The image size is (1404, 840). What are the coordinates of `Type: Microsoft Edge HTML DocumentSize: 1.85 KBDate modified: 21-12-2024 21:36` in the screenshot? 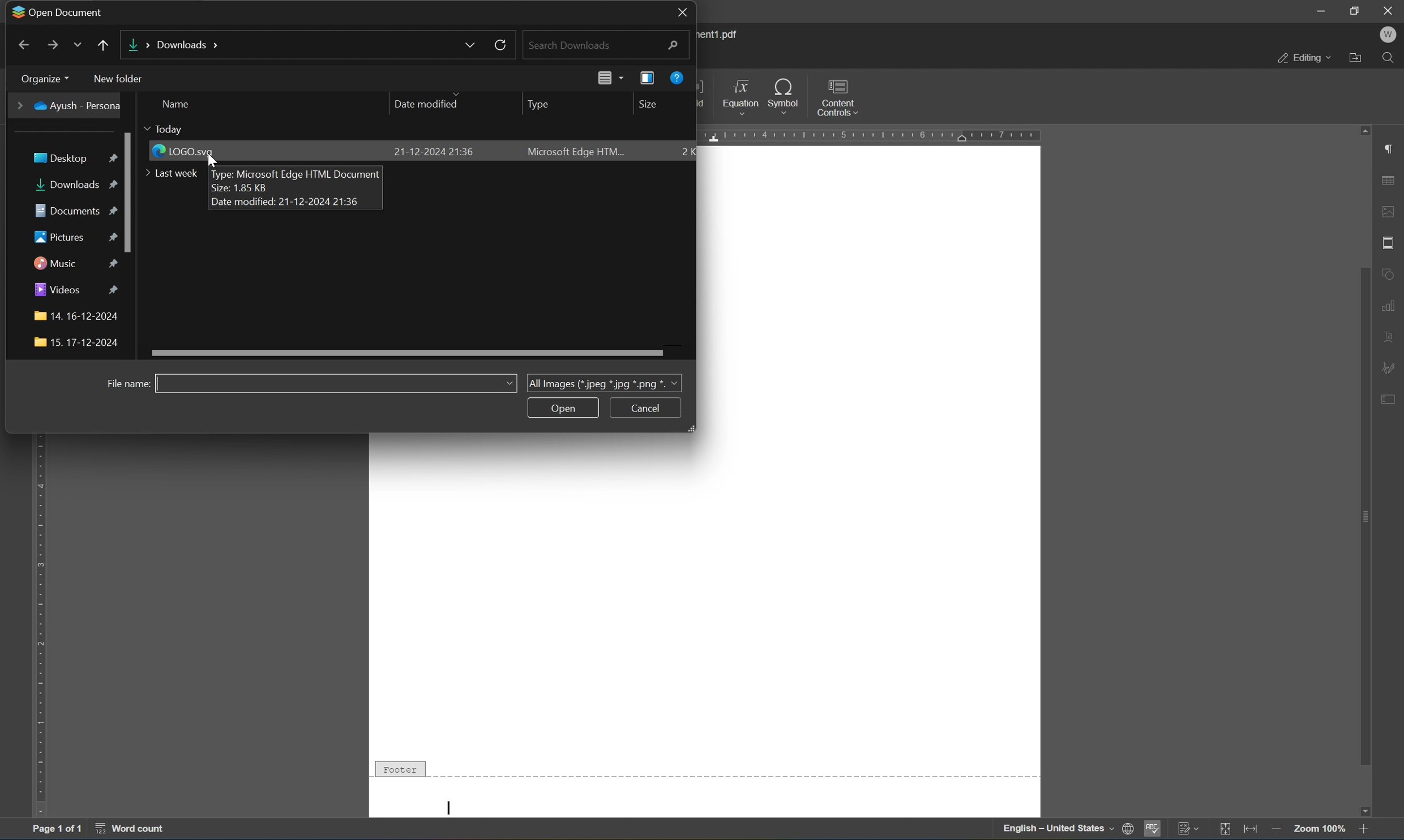 It's located at (298, 189).